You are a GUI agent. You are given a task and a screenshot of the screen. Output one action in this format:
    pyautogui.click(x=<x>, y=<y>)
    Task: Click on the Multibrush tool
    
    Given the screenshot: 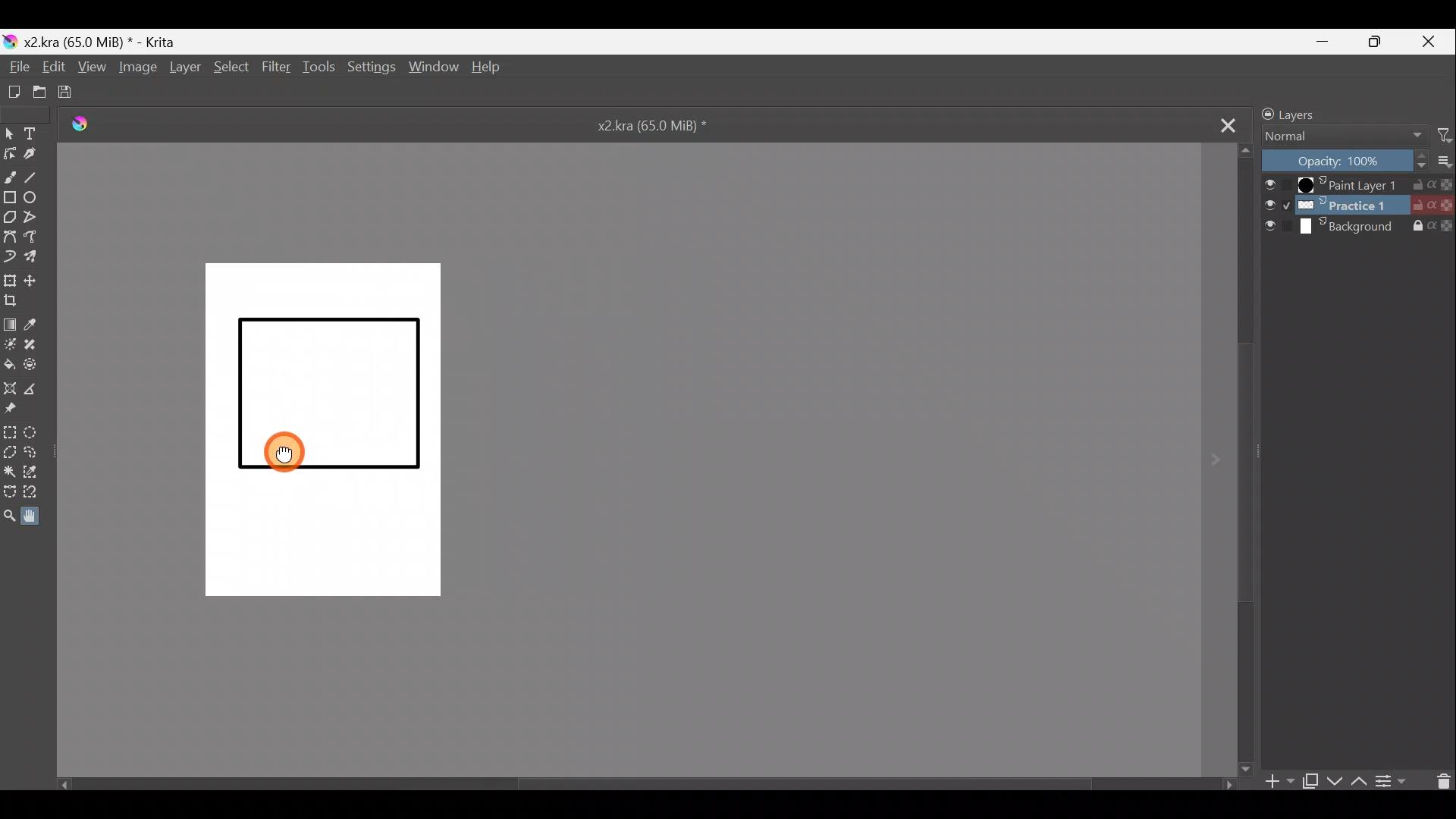 What is the action you would take?
    pyautogui.click(x=36, y=257)
    